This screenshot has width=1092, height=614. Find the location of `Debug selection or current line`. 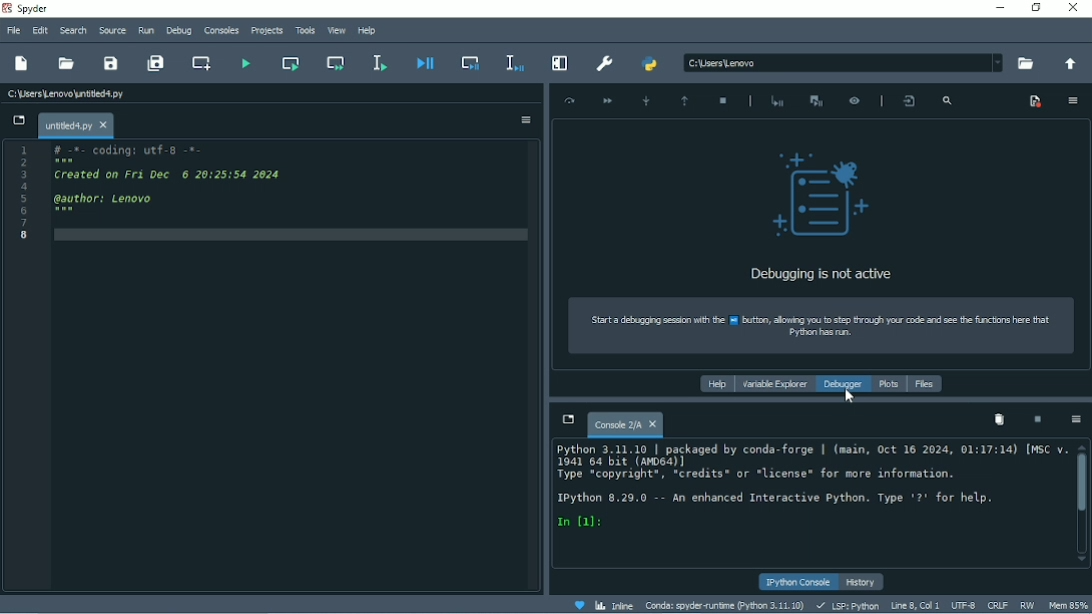

Debug selection or current line is located at coordinates (512, 62).